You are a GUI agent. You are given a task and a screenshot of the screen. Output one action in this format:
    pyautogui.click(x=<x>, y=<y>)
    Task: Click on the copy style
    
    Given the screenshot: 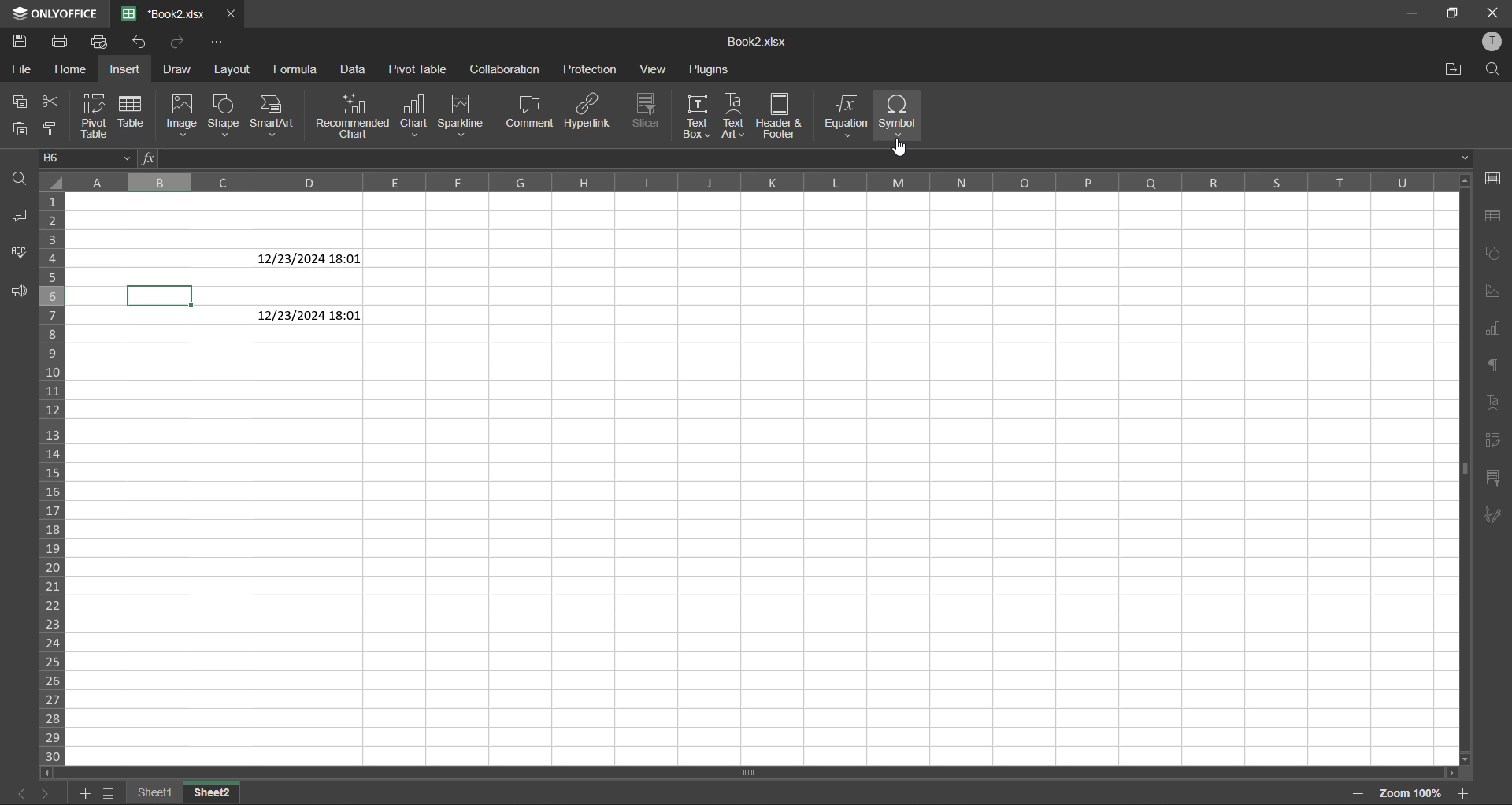 What is the action you would take?
    pyautogui.click(x=51, y=129)
    